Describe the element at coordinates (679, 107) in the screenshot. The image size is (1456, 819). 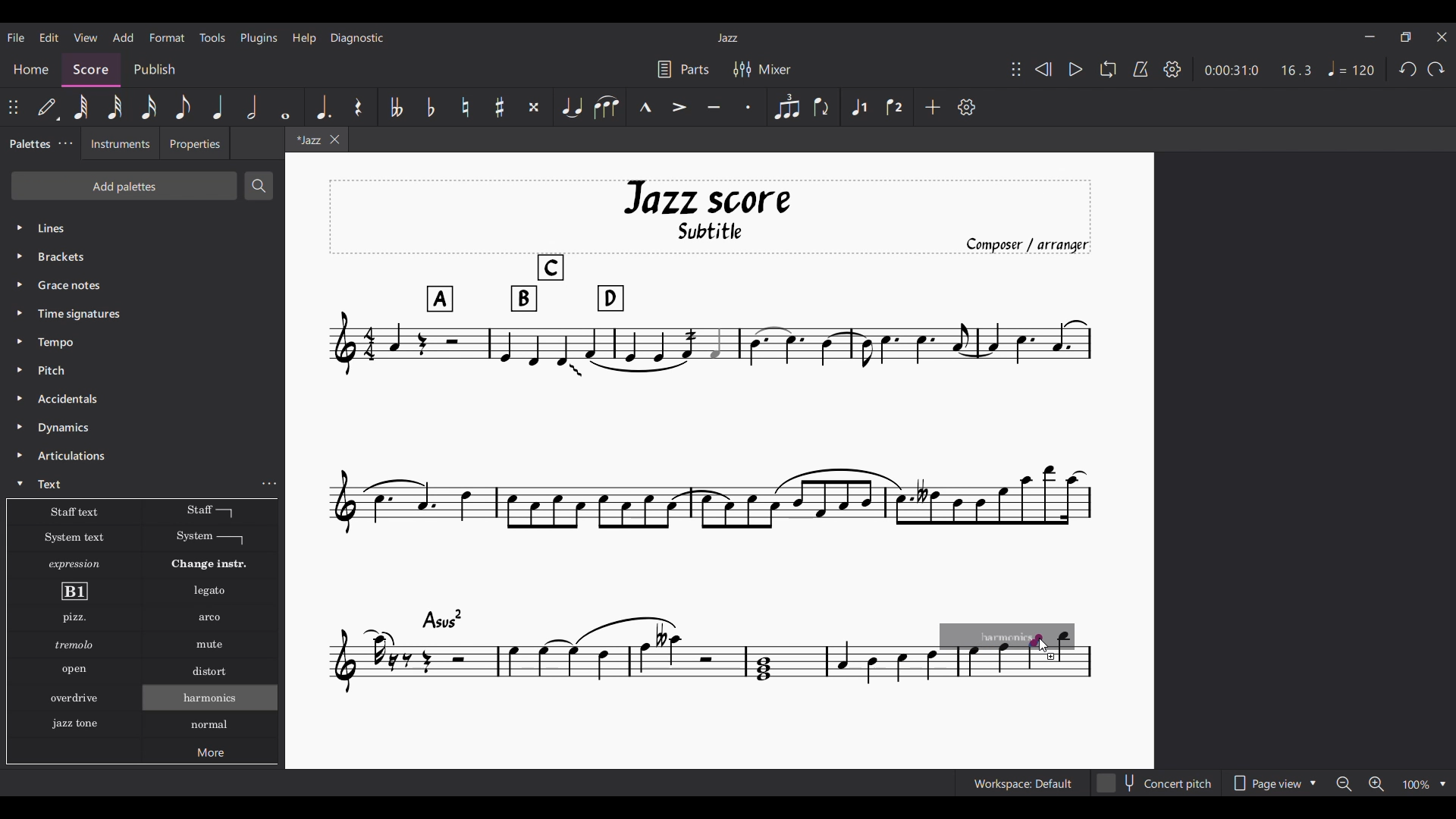
I see `Accent` at that location.